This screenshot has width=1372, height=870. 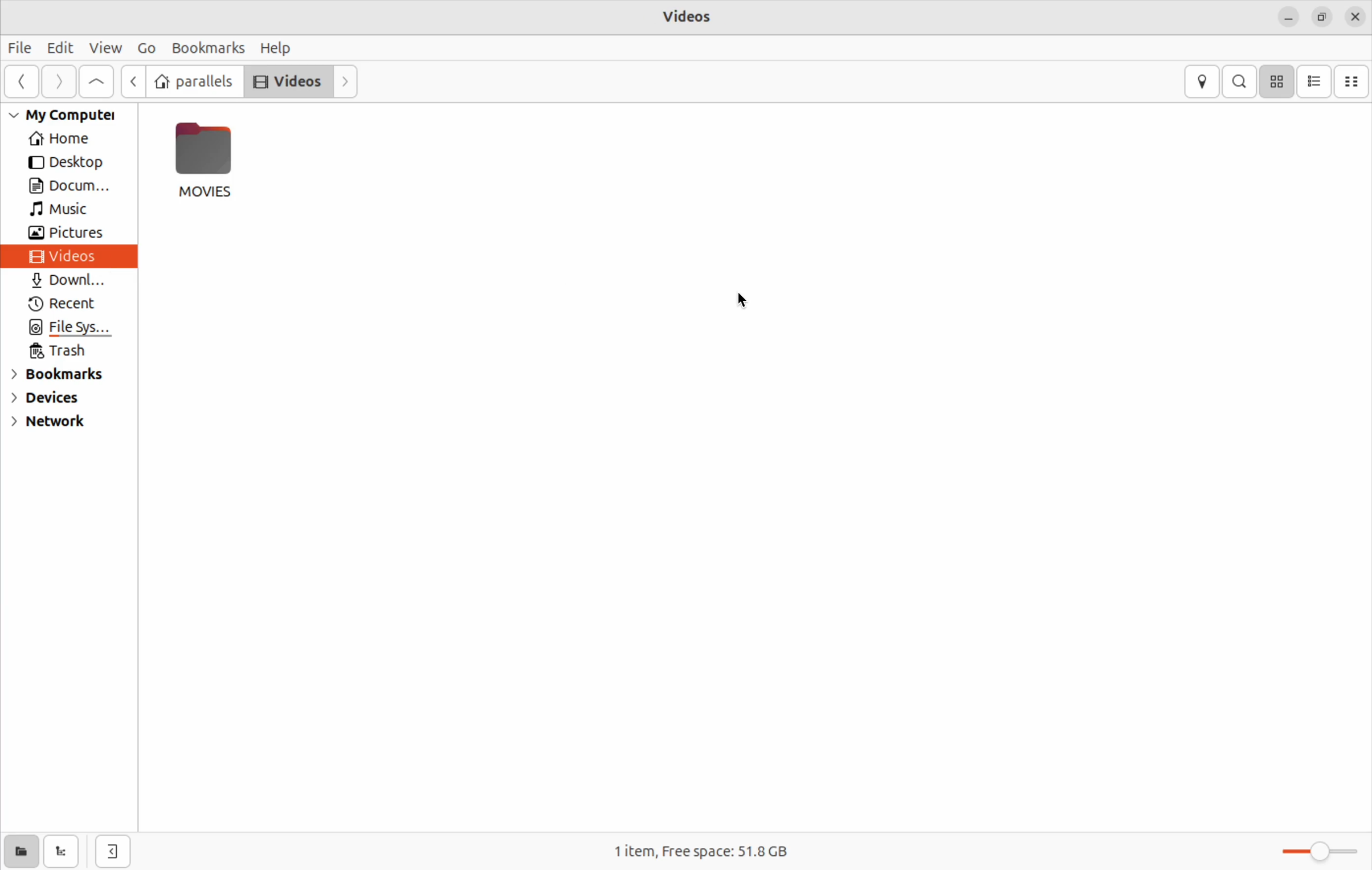 What do you see at coordinates (67, 306) in the screenshot?
I see `Recent` at bounding box center [67, 306].